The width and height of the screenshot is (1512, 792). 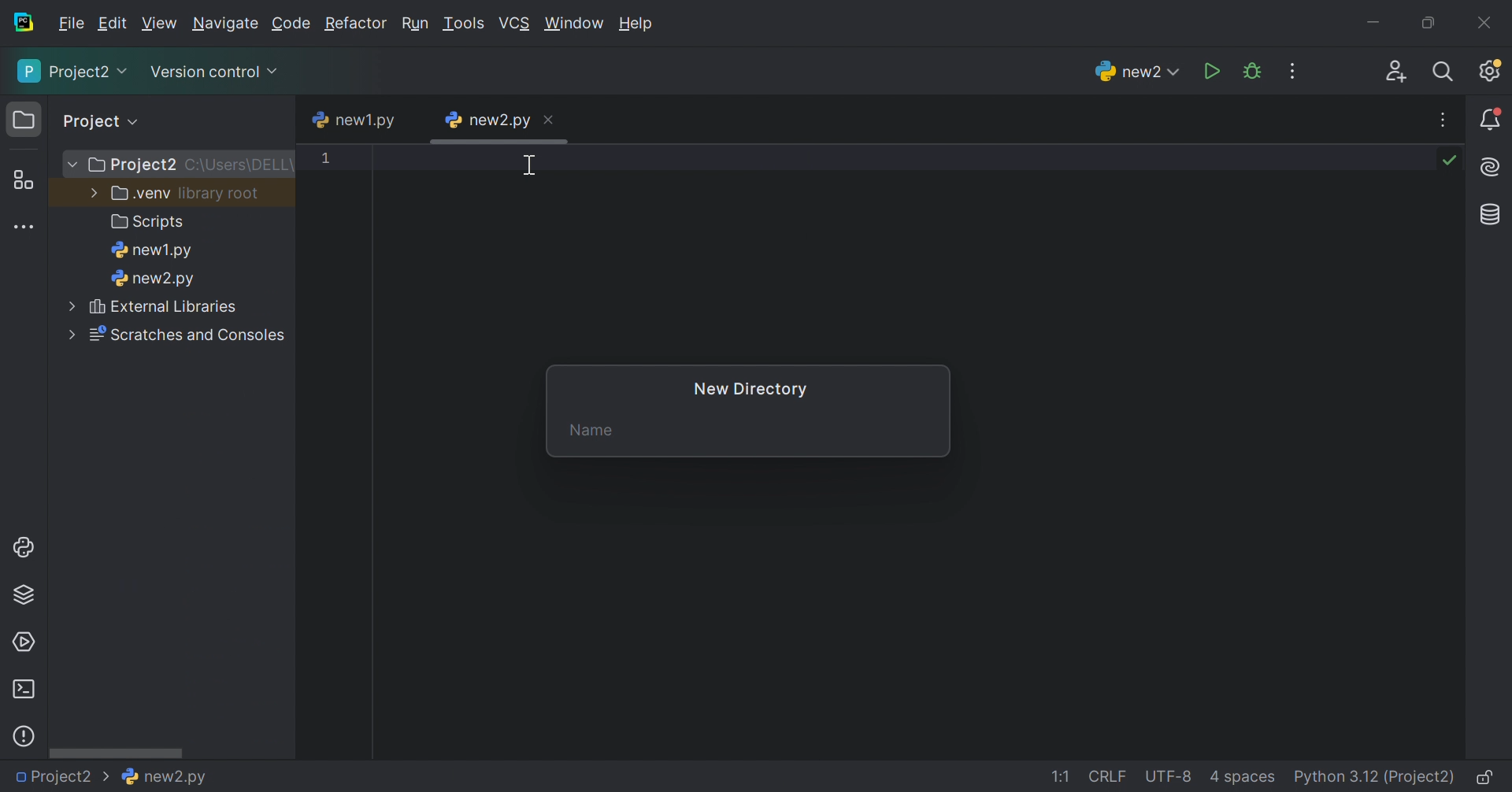 What do you see at coordinates (756, 390) in the screenshot?
I see `New Directory` at bounding box center [756, 390].